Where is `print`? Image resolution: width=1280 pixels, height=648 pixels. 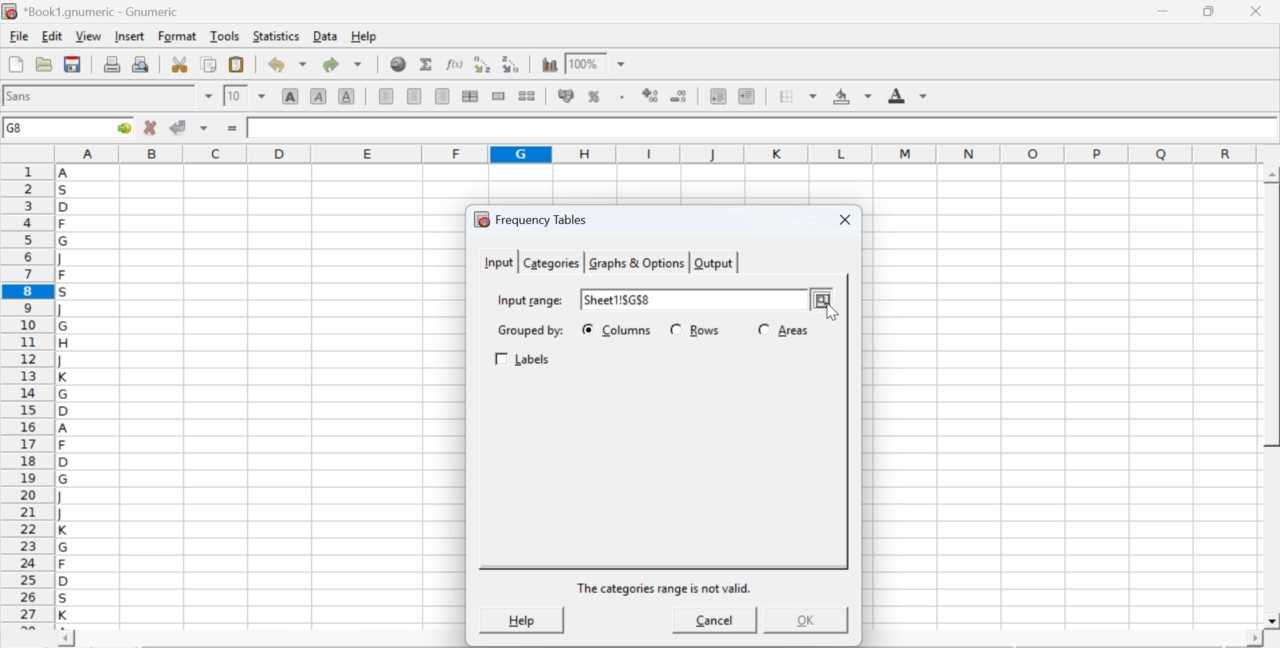 print is located at coordinates (112, 63).